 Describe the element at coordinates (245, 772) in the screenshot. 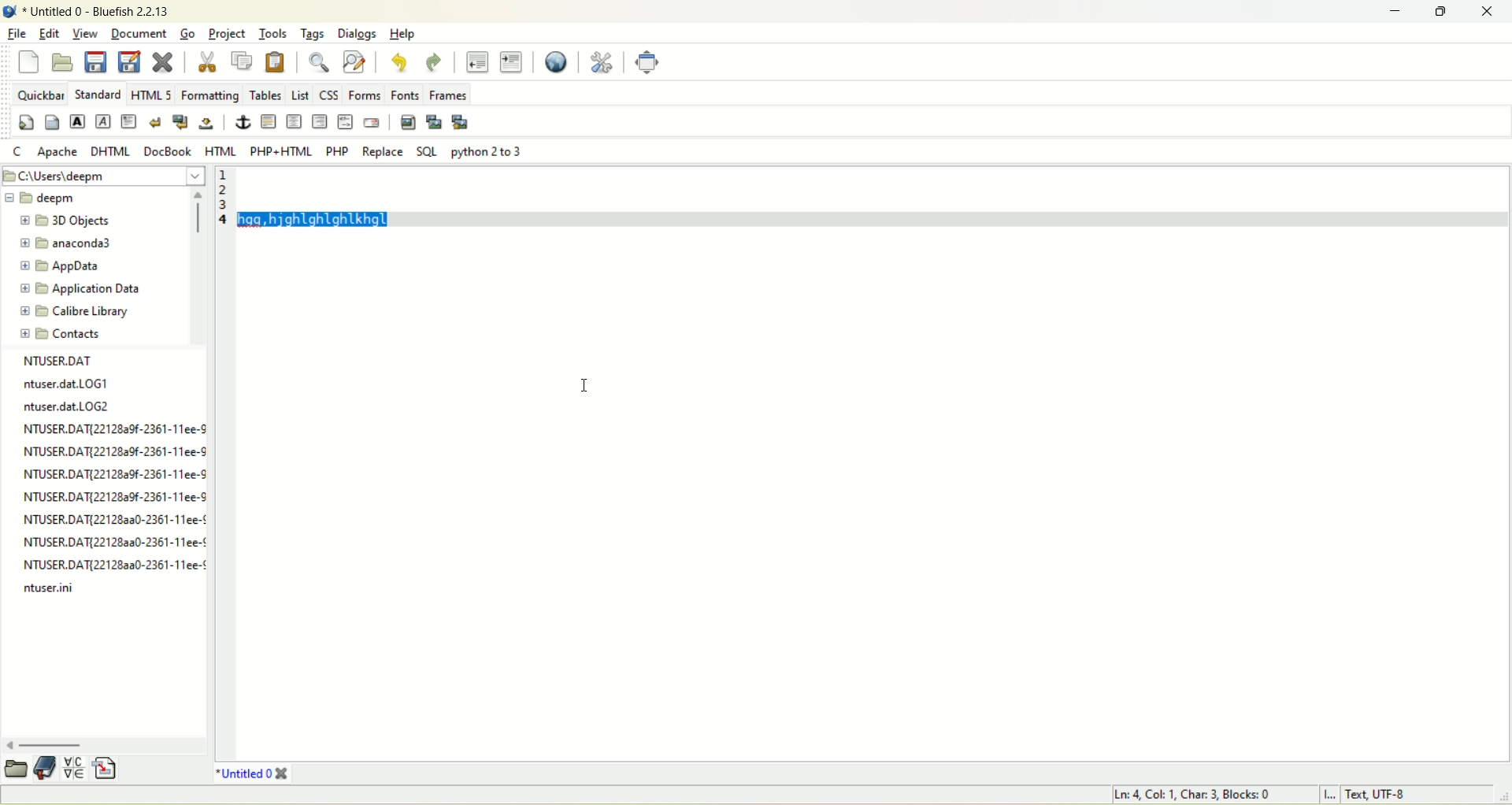

I see `document tab` at that location.